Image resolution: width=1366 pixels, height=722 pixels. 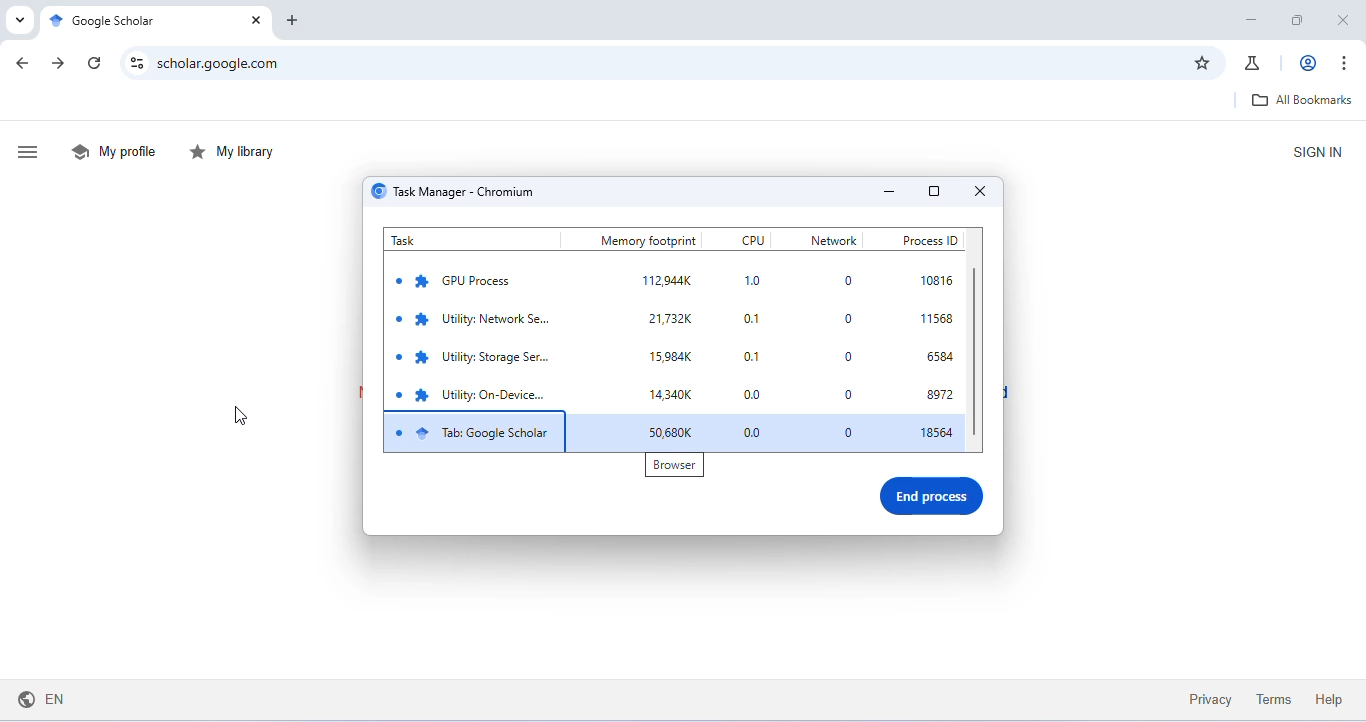 I want to click on 0, so click(x=849, y=319).